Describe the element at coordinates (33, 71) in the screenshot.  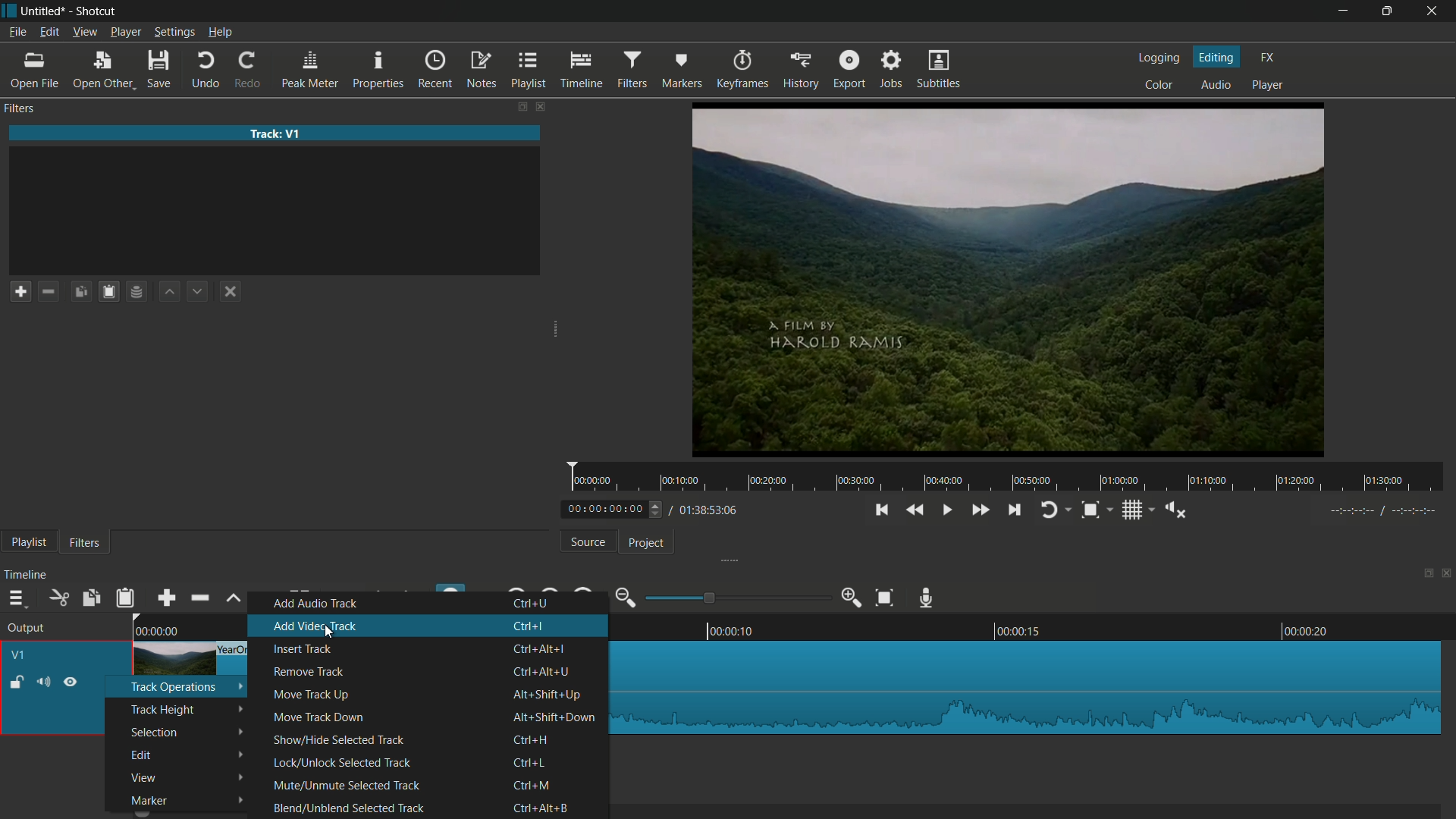
I see `open file` at that location.